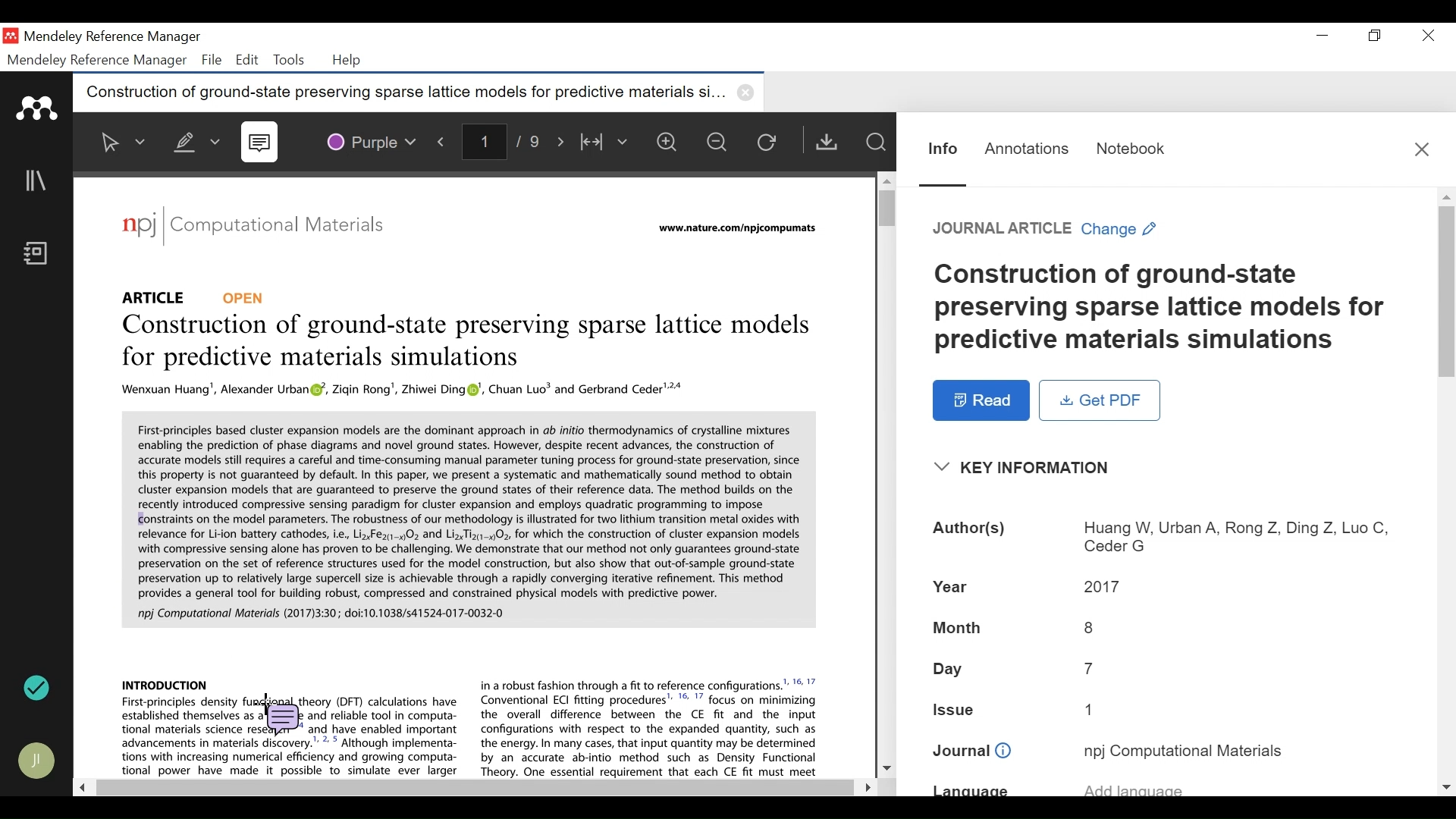 Image resolution: width=1456 pixels, height=819 pixels. I want to click on Year, so click(1166, 587).